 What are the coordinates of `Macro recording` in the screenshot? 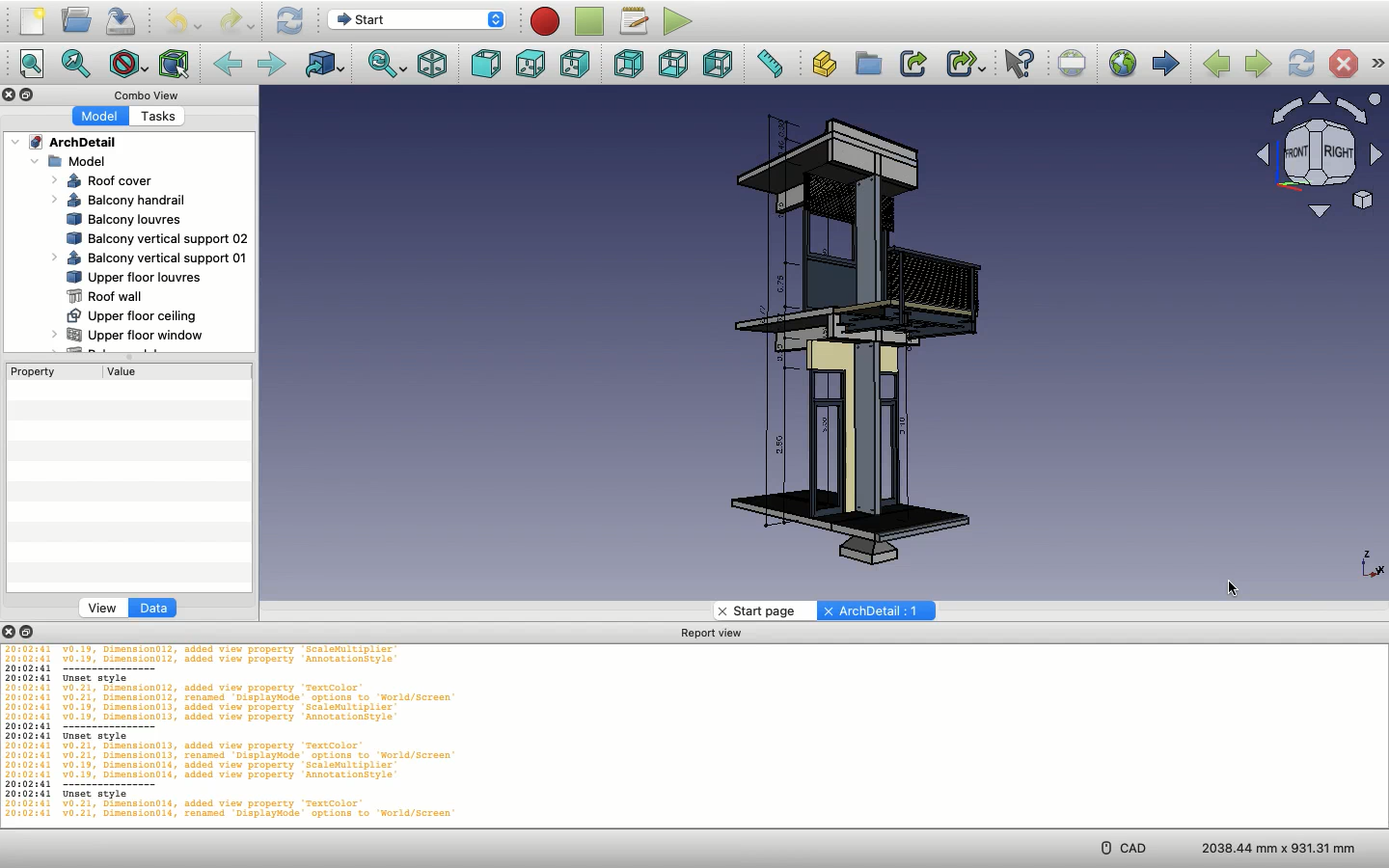 It's located at (544, 21).